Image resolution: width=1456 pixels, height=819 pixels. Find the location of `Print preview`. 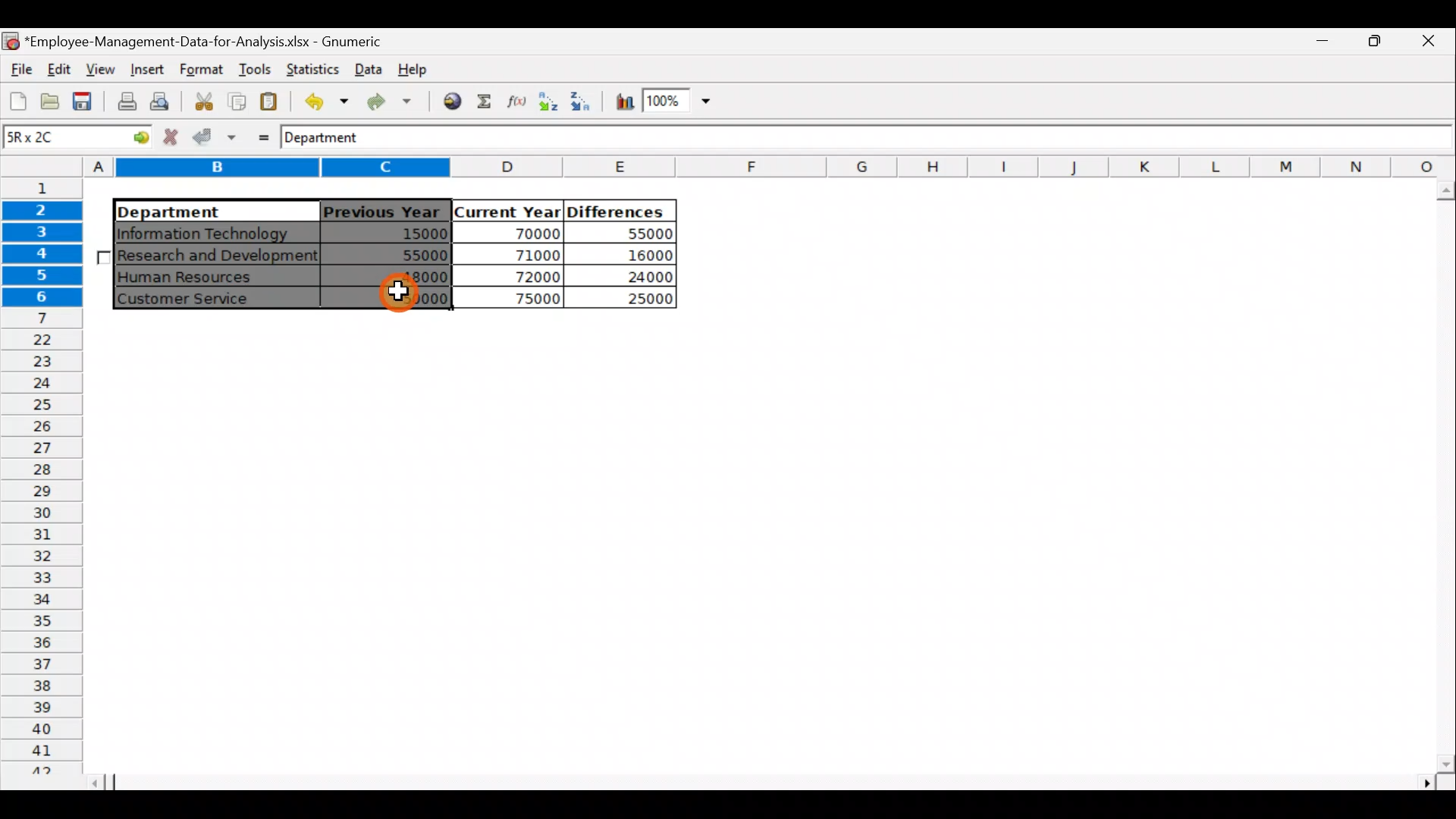

Print preview is located at coordinates (163, 101).